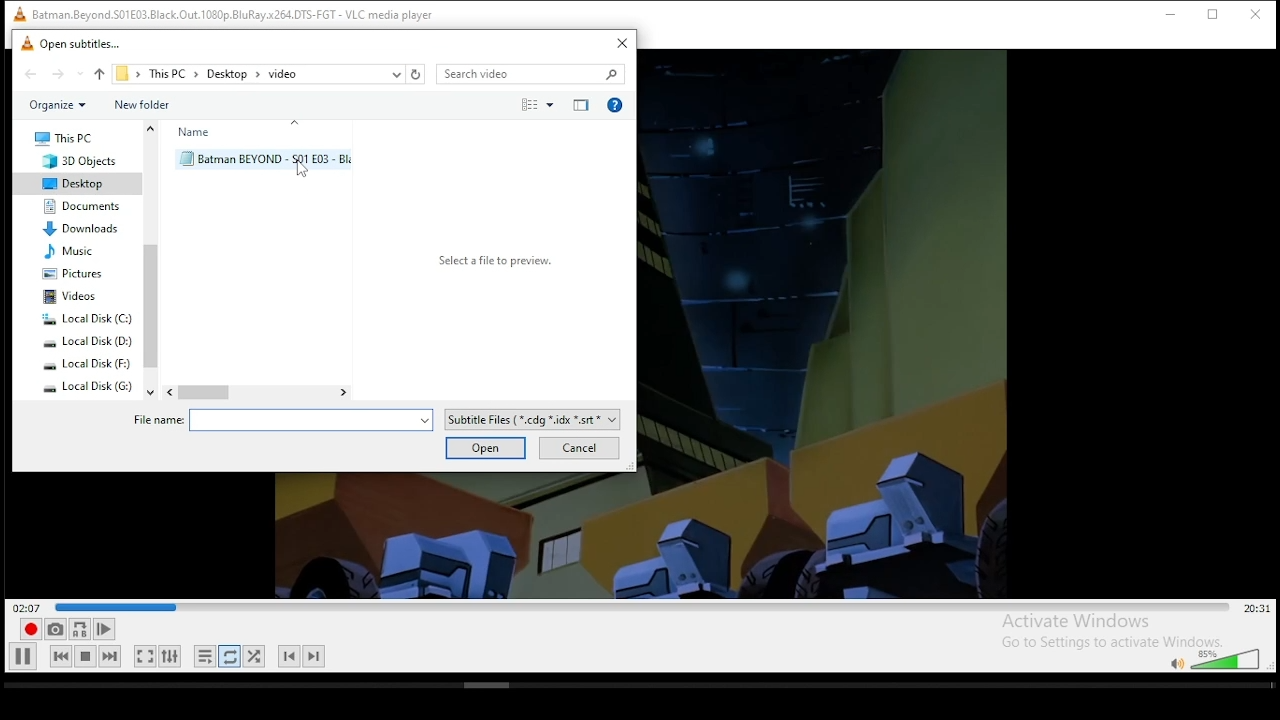 The image size is (1280, 720). I want to click on new folder, so click(142, 106).